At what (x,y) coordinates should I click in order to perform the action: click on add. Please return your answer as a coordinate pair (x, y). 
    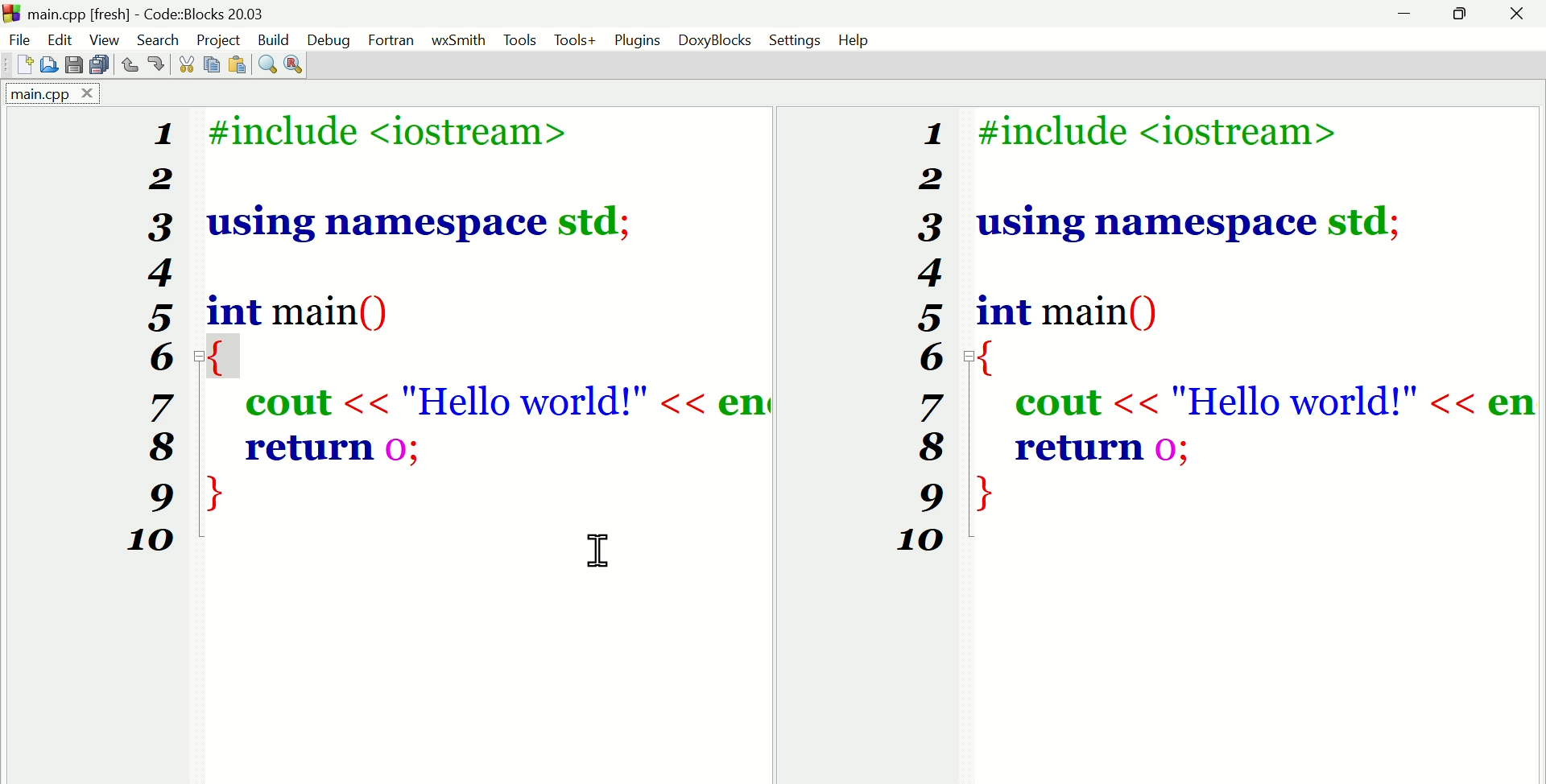
    Looking at the image, I should click on (24, 65).